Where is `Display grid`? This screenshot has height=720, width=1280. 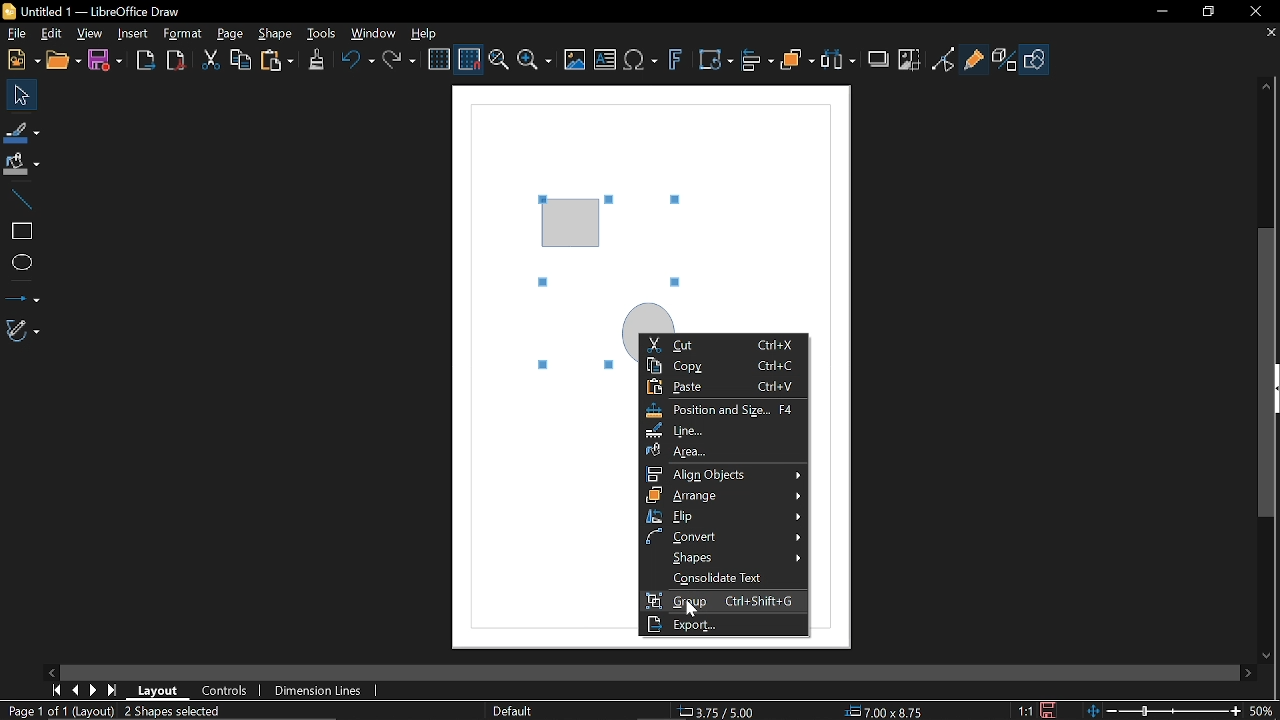
Display grid is located at coordinates (439, 59).